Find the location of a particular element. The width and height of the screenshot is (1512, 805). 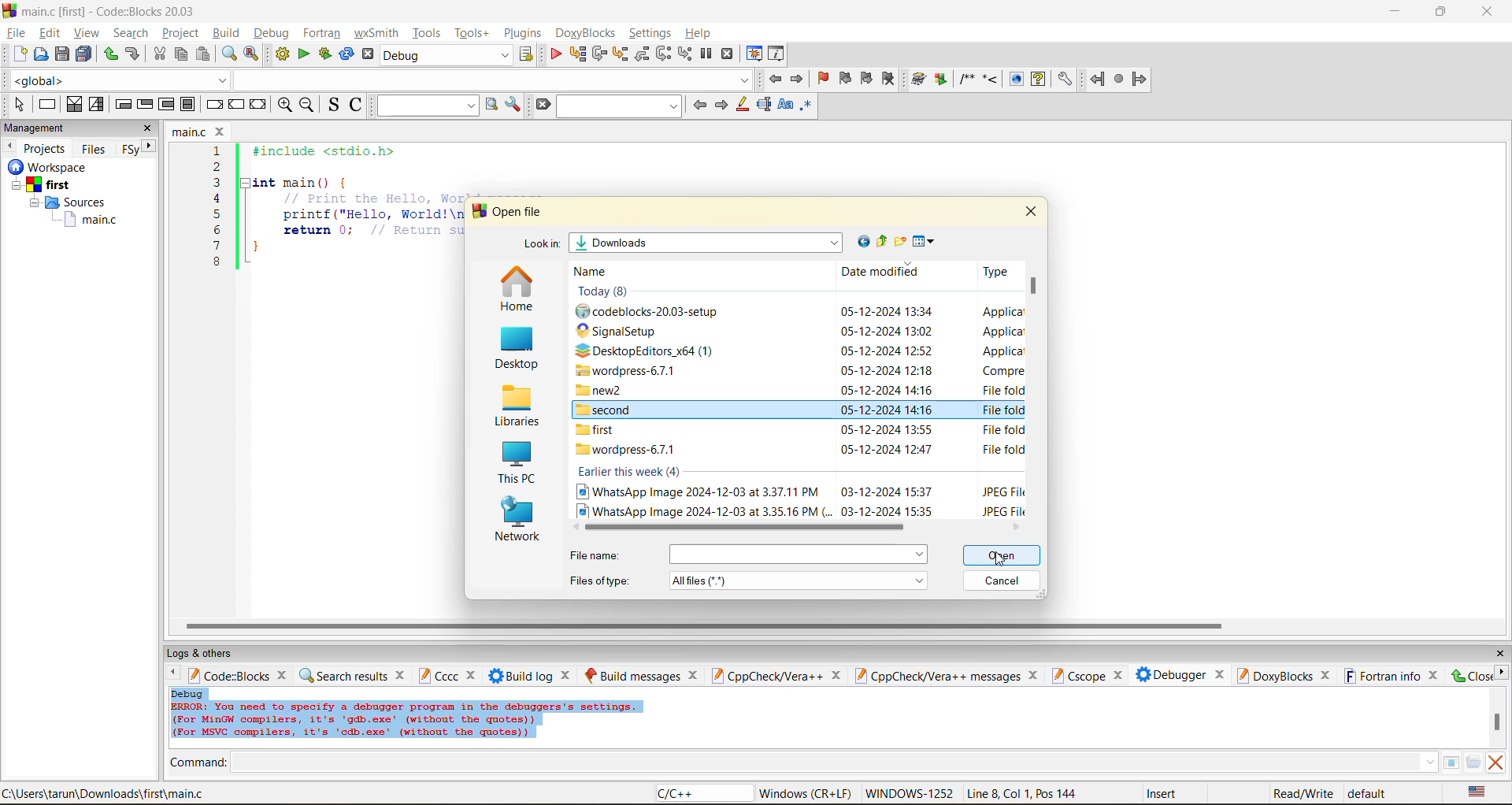

return 0 is located at coordinates (372, 230).